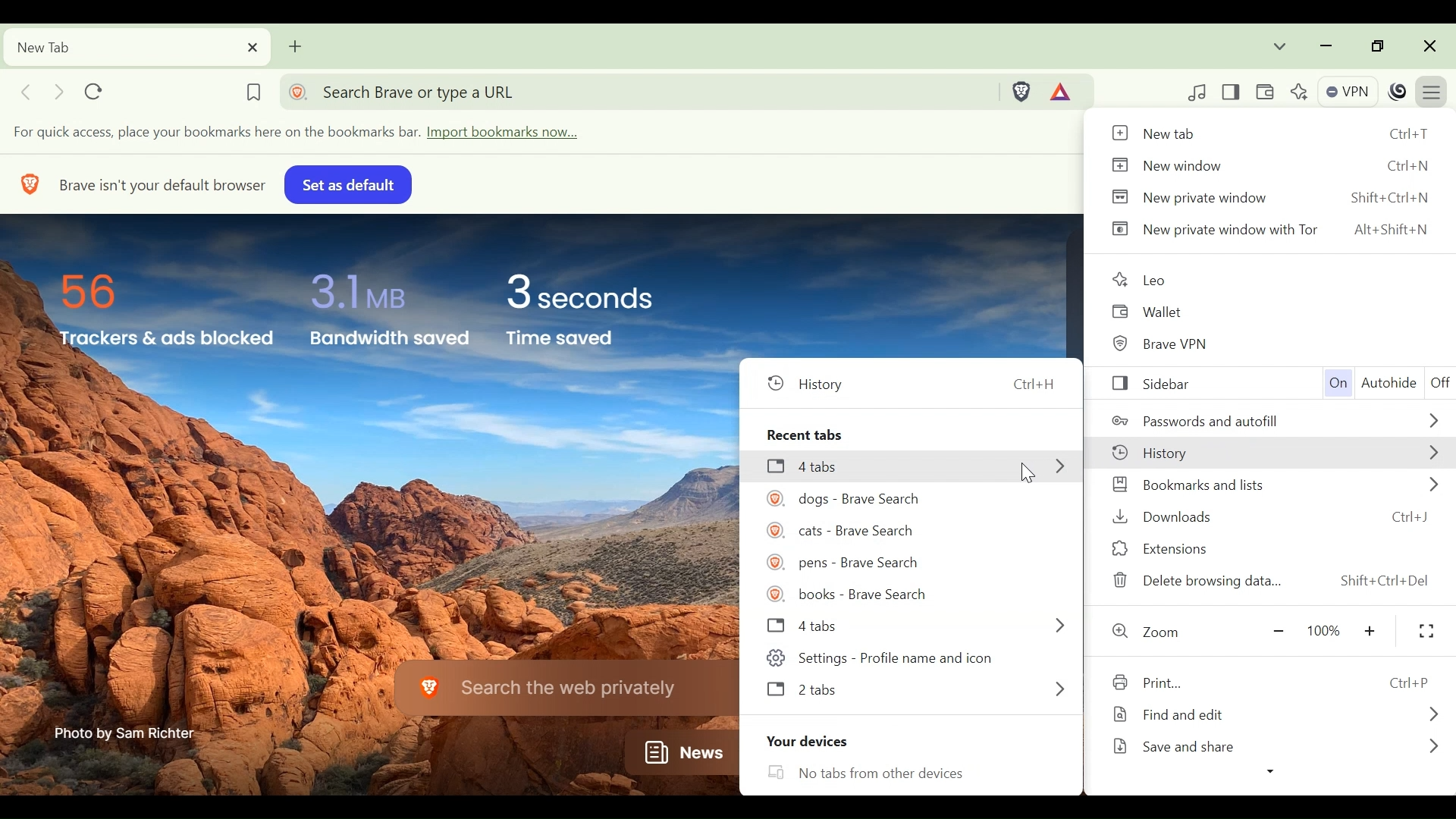 The width and height of the screenshot is (1456, 819). What do you see at coordinates (1273, 582) in the screenshot?
I see `Delete browsing data... Shift+Ctrl+Del` at bounding box center [1273, 582].